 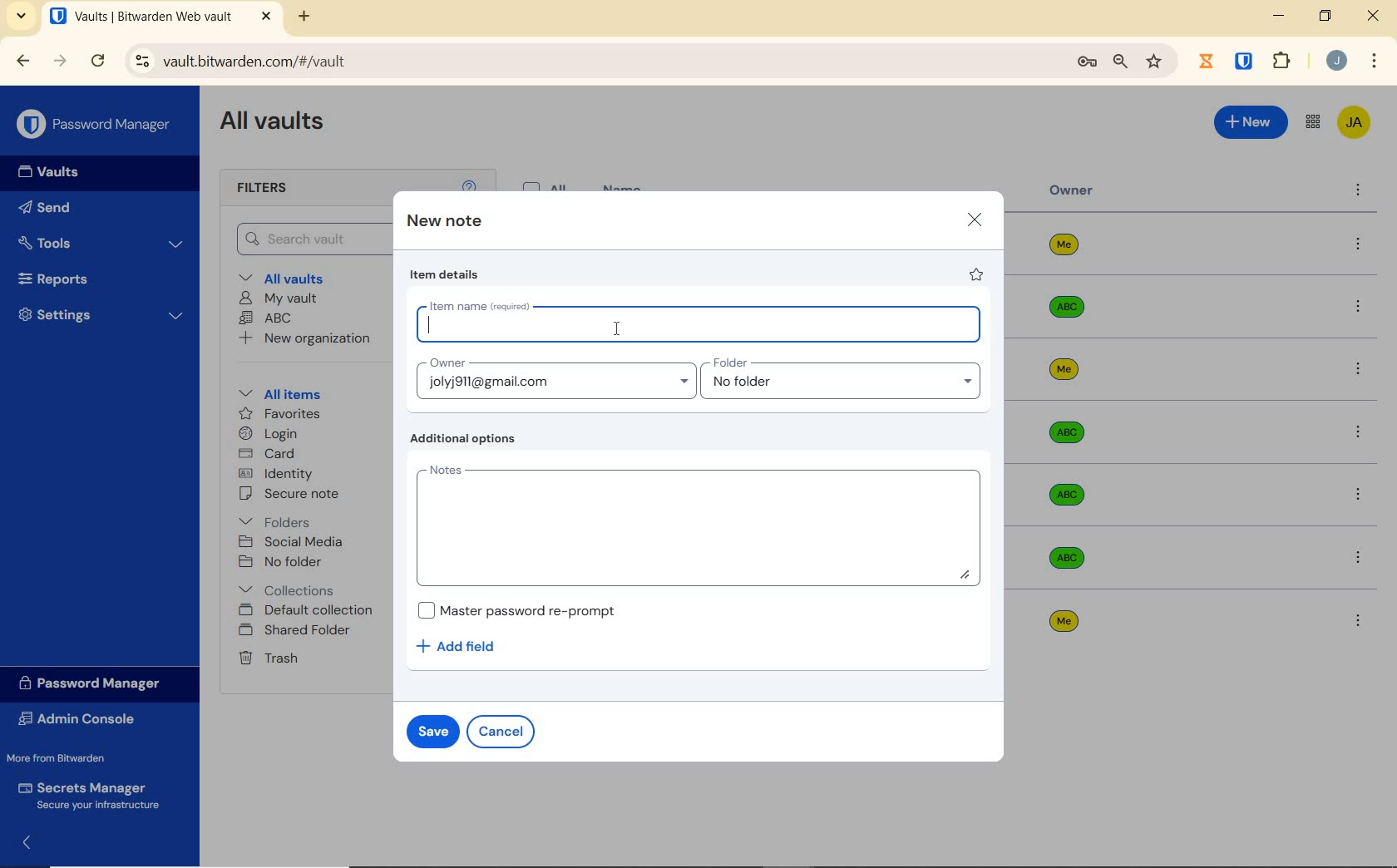 I want to click on address bar, so click(x=589, y=61).